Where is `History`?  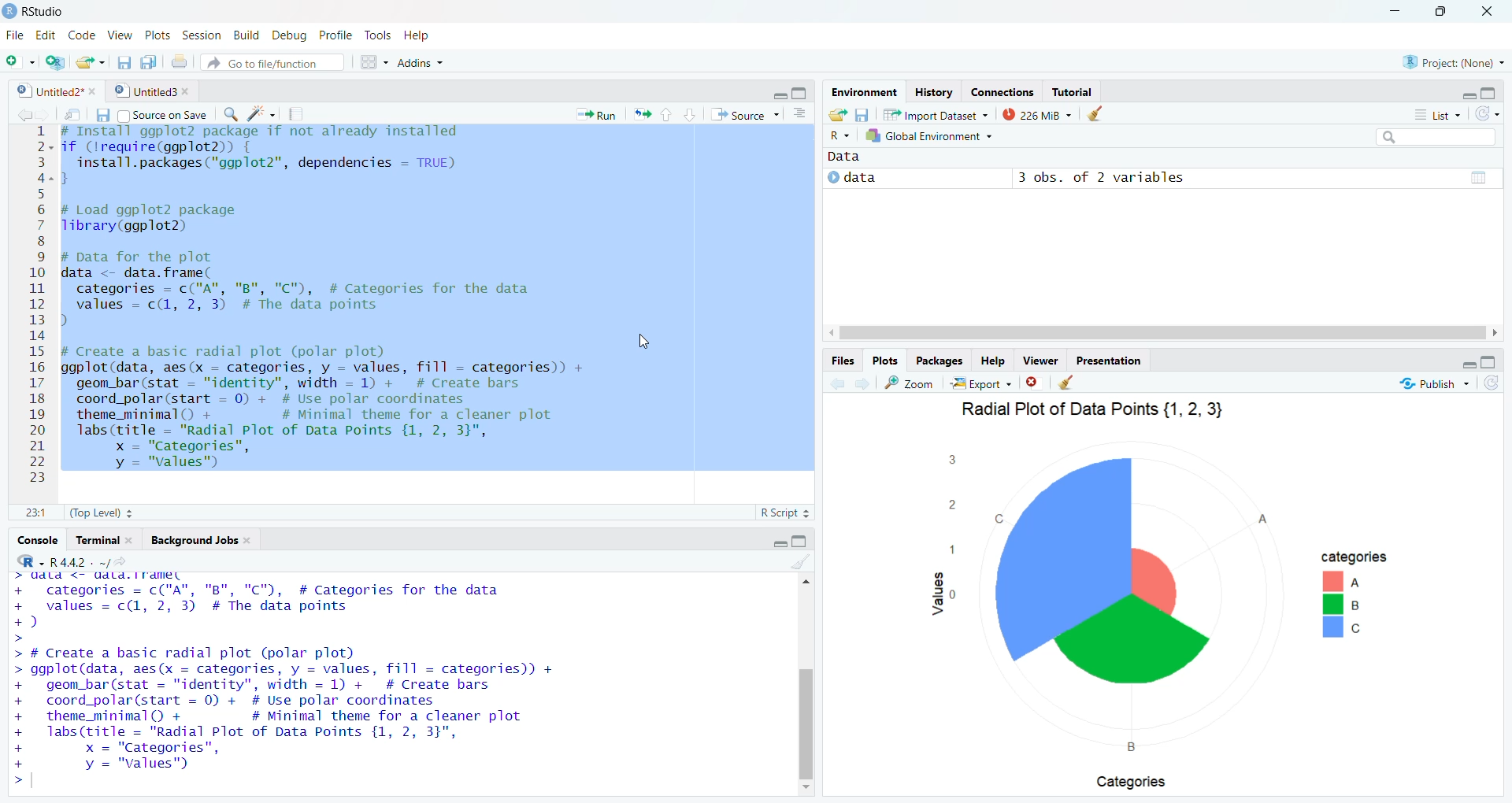
History is located at coordinates (935, 91).